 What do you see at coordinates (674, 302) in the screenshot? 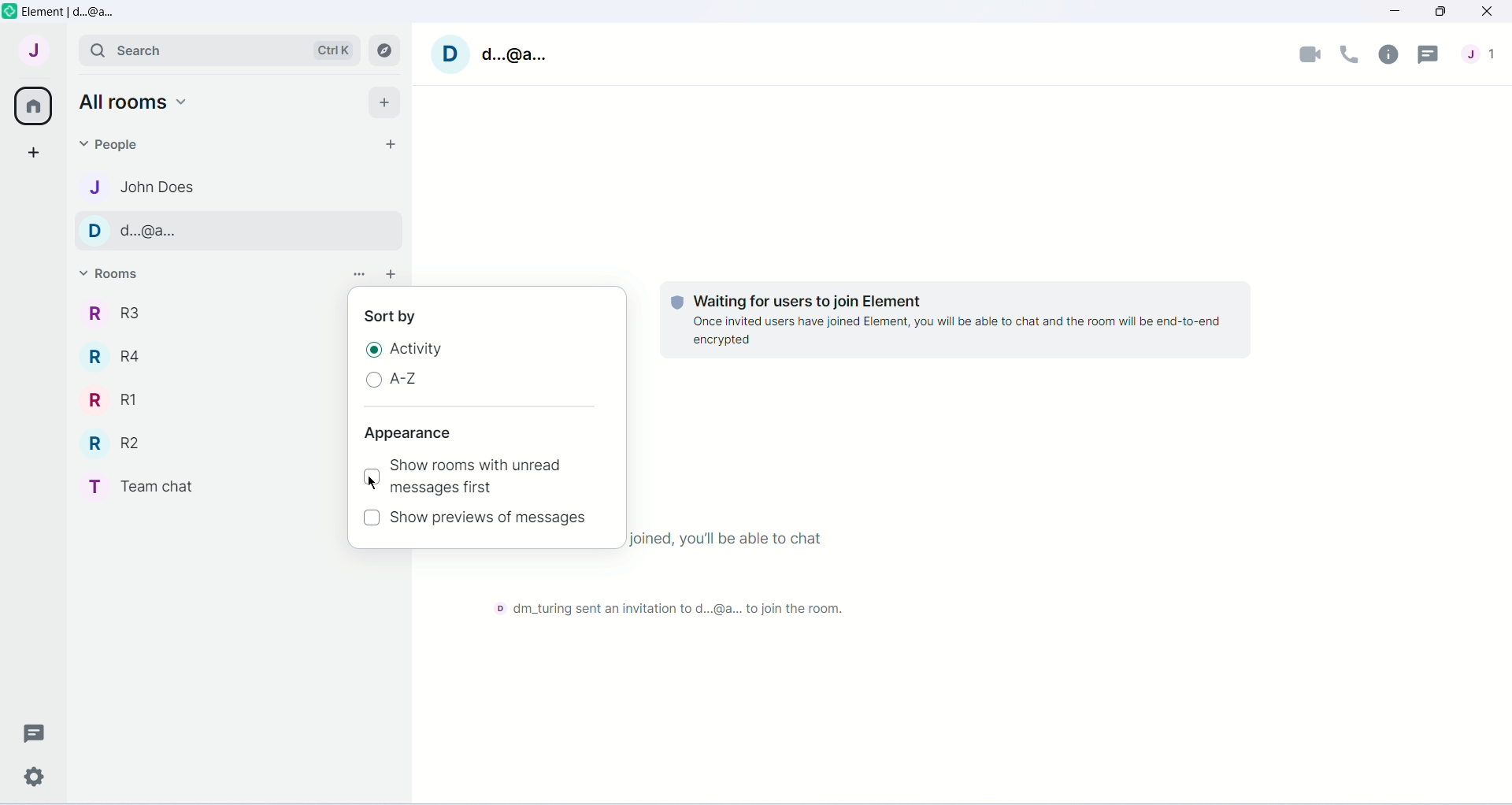
I see `tracking logo` at bounding box center [674, 302].